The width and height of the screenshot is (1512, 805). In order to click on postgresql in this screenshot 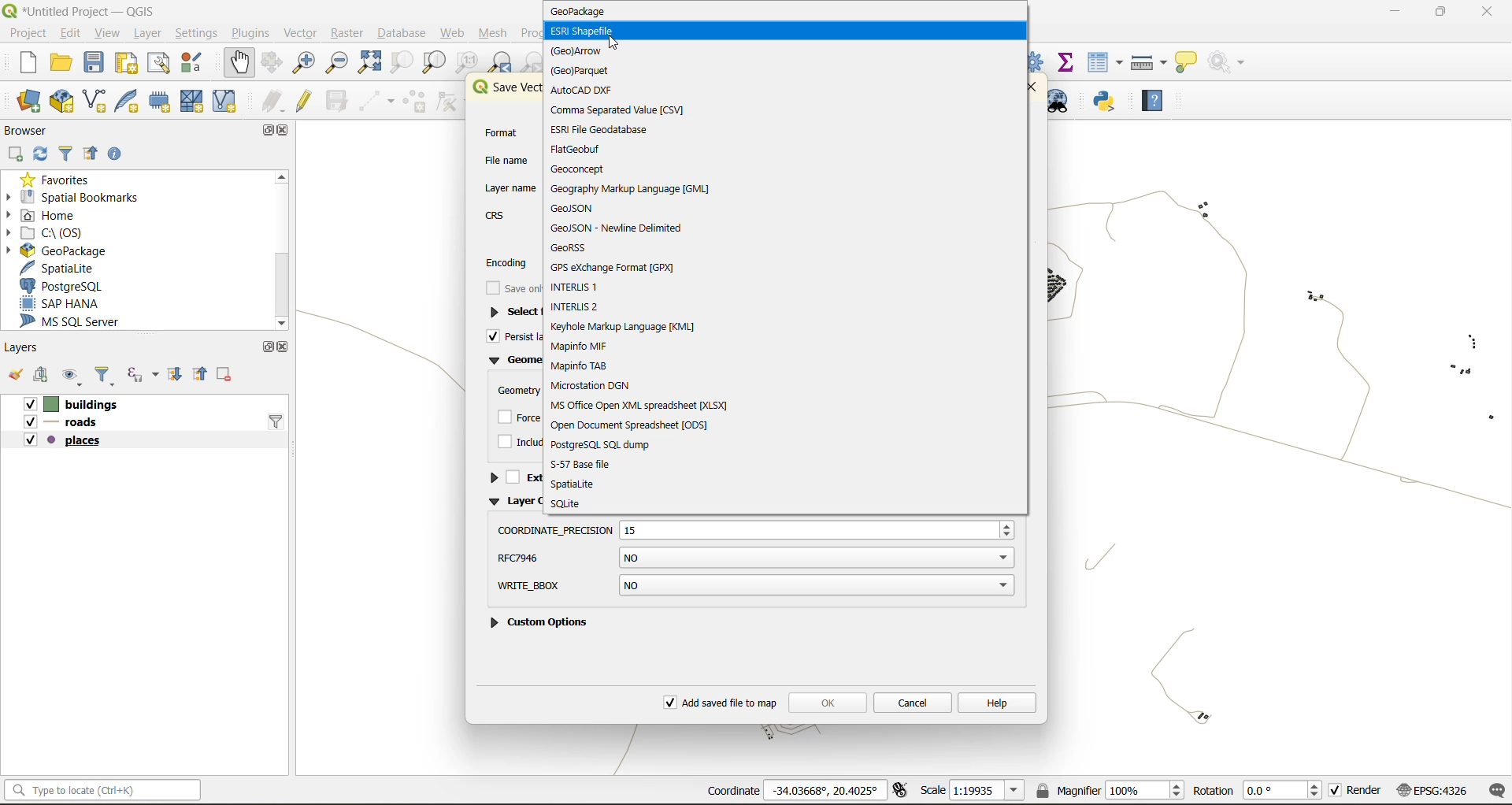, I will do `click(67, 287)`.